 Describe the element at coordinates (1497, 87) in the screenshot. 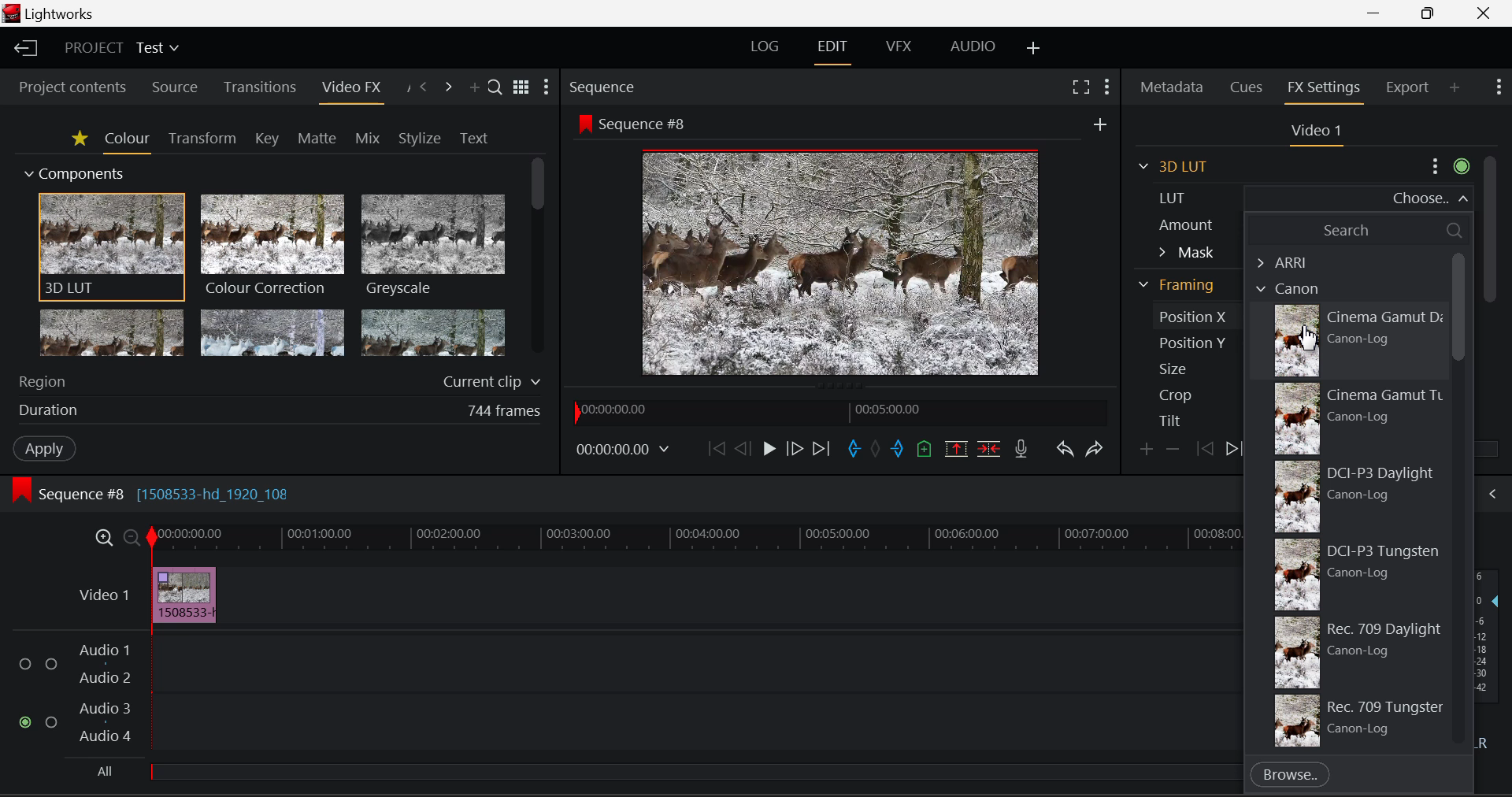

I see `Show Settings` at that location.